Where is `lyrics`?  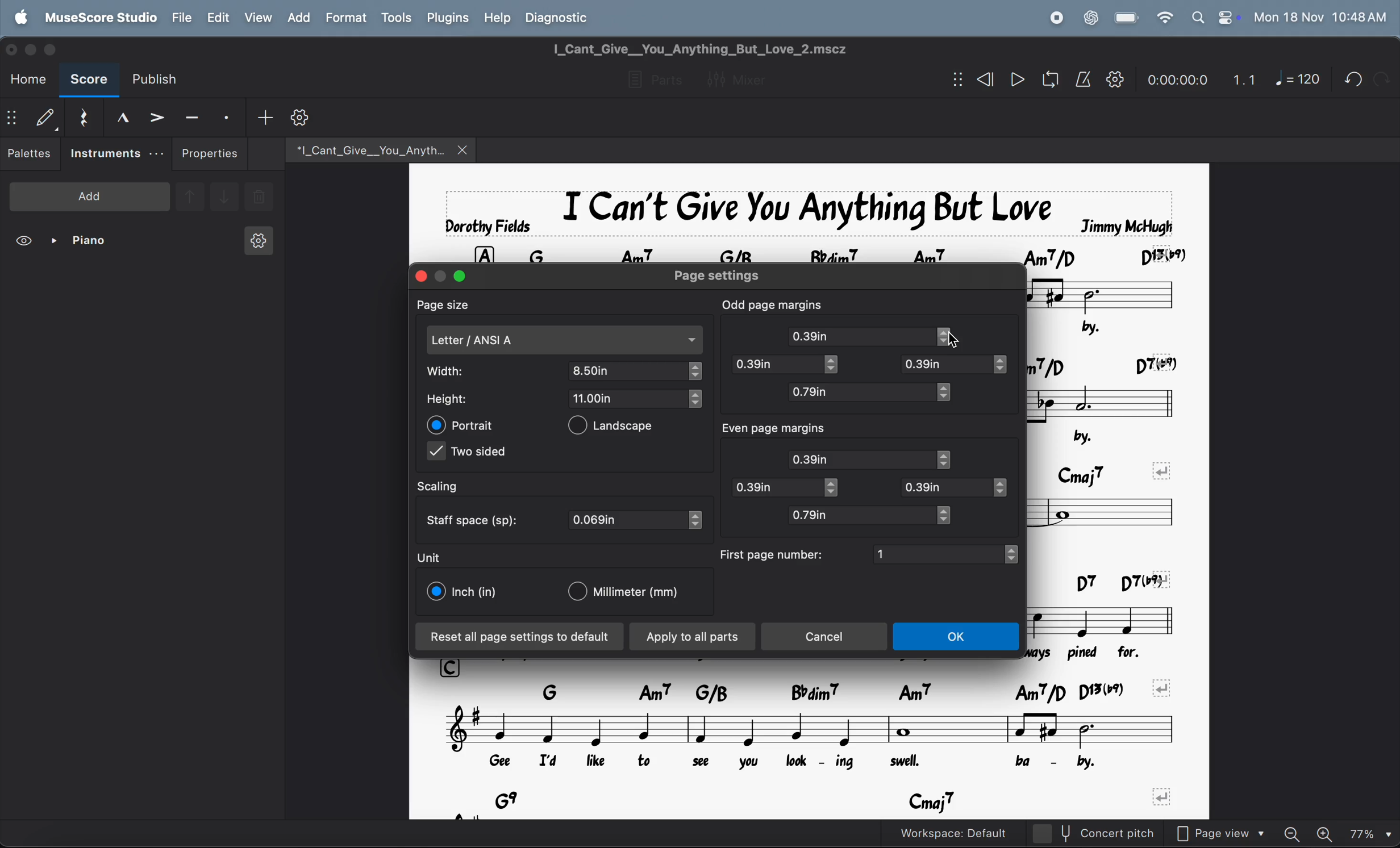
lyrics is located at coordinates (1100, 653).